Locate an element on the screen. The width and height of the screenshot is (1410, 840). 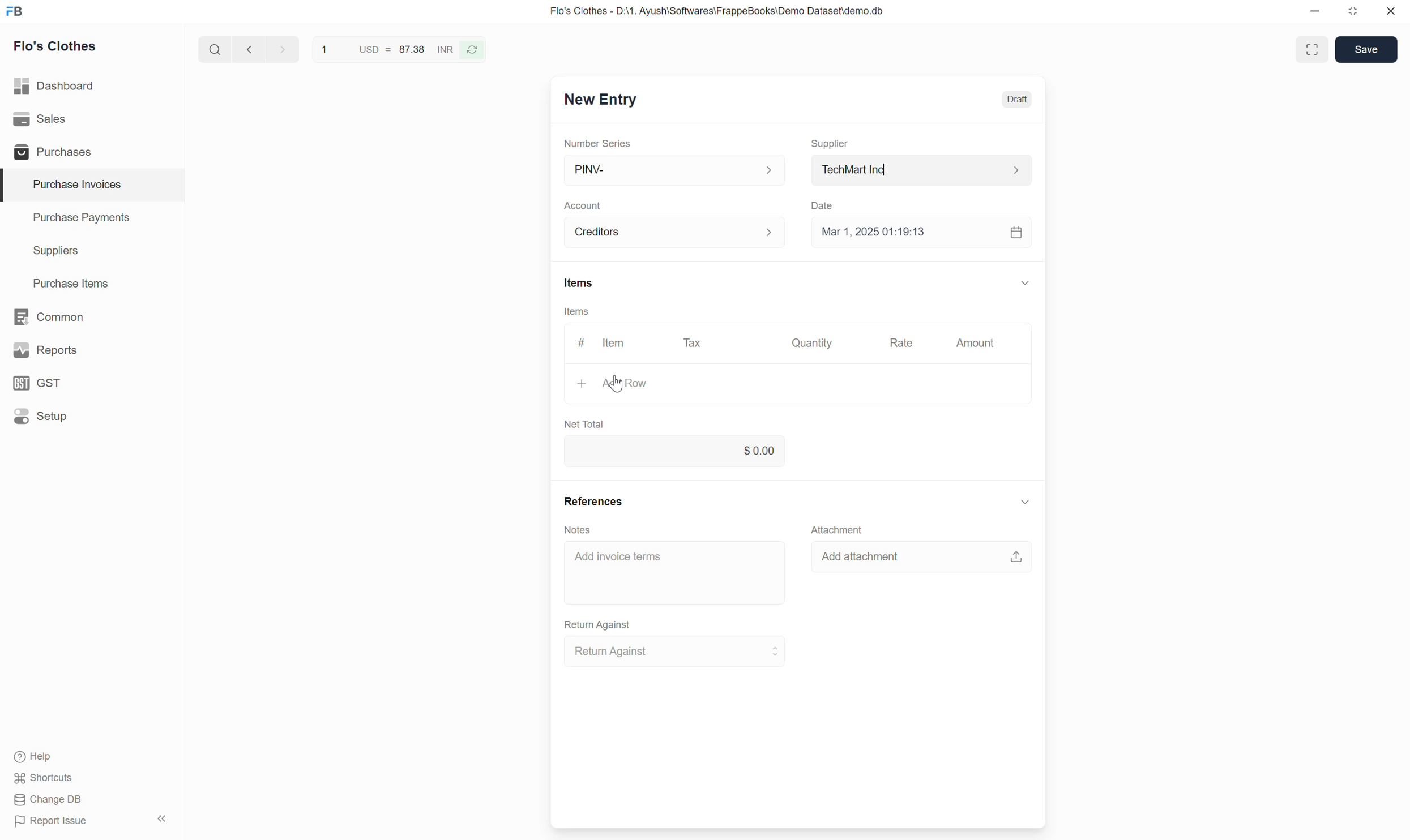
Dashboard is located at coordinates (55, 83).